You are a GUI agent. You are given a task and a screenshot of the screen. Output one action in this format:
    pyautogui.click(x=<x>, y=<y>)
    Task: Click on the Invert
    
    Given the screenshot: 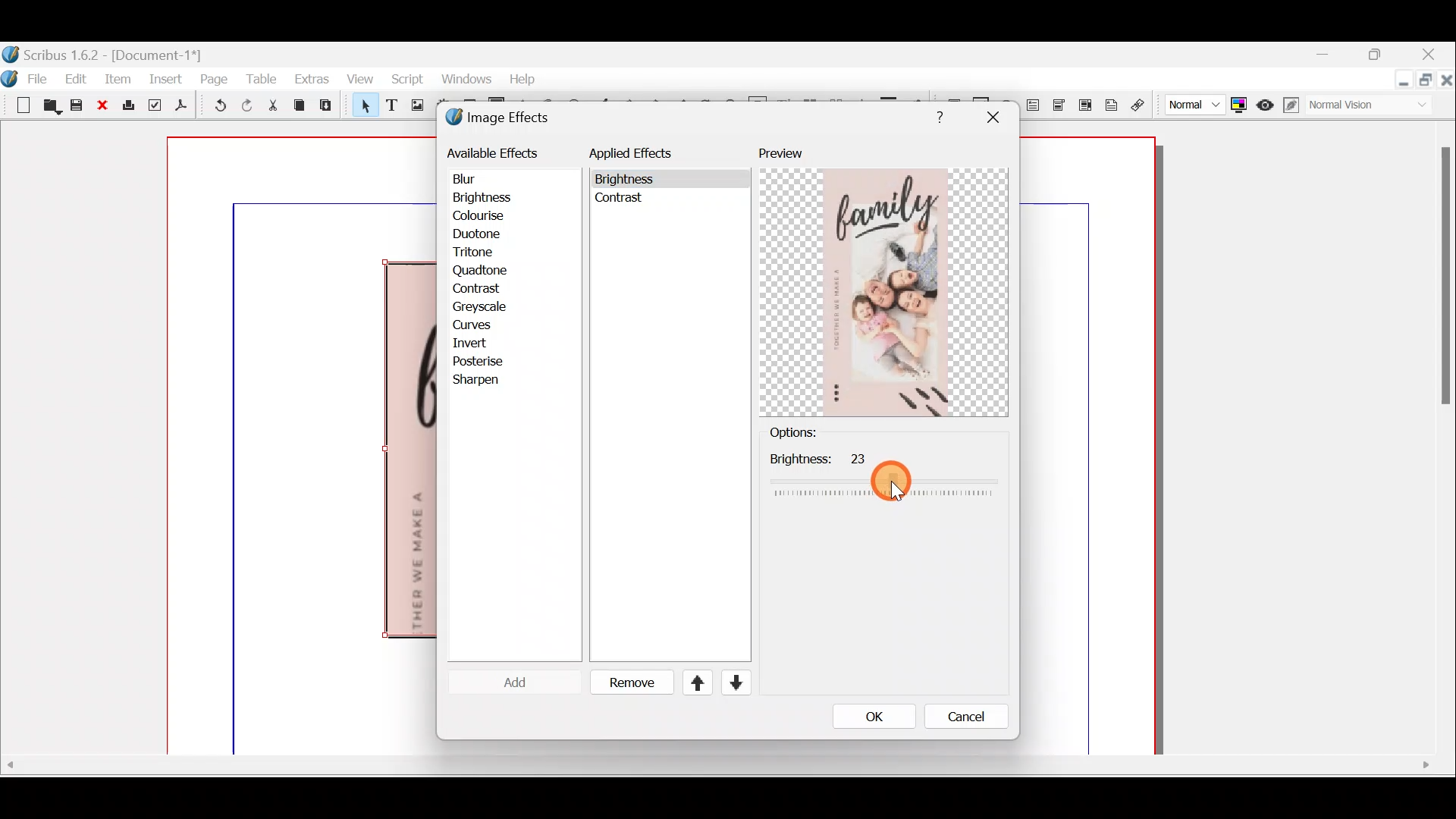 What is the action you would take?
    pyautogui.click(x=484, y=342)
    